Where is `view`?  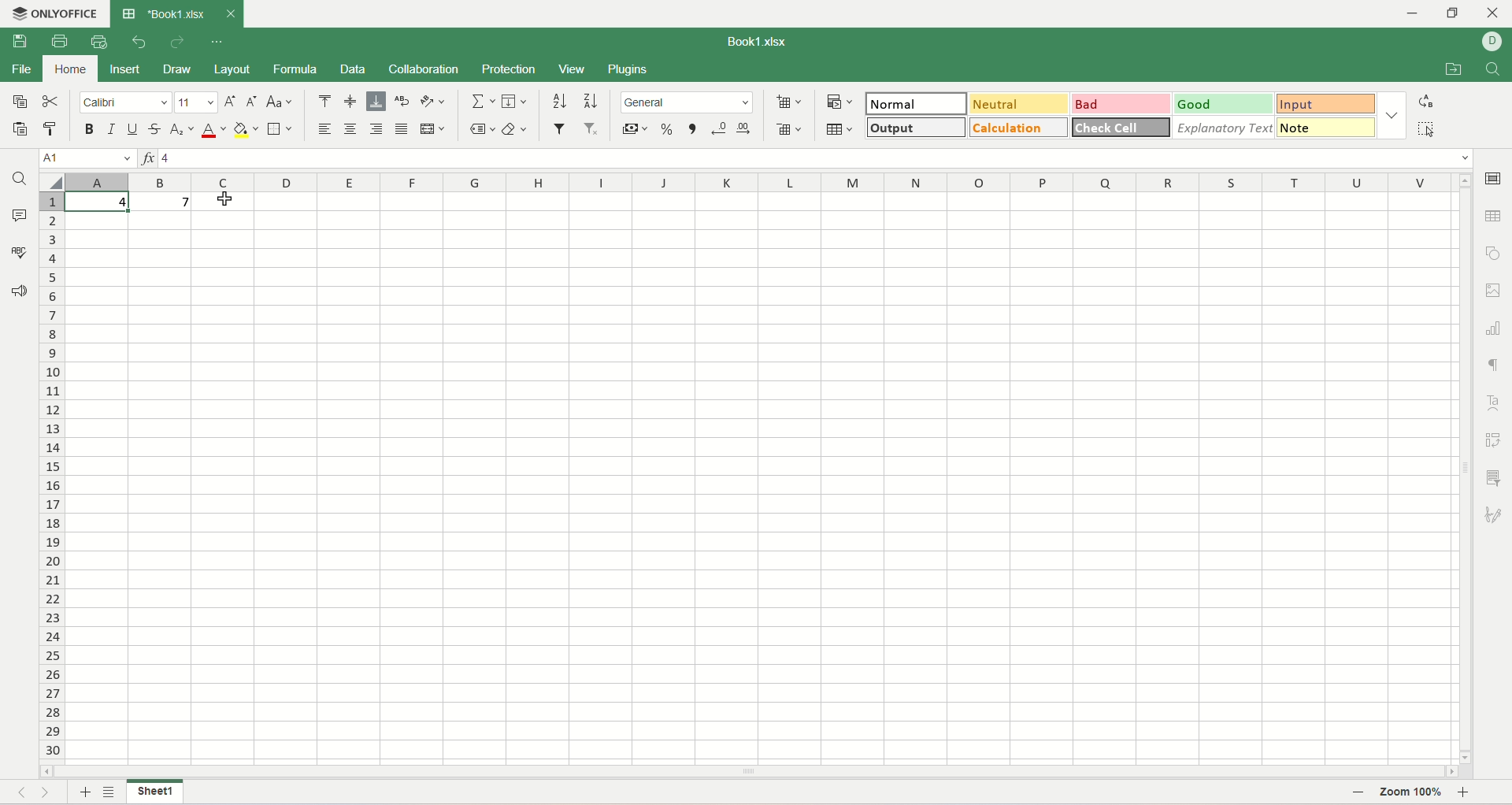 view is located at coordinates (572, 71).